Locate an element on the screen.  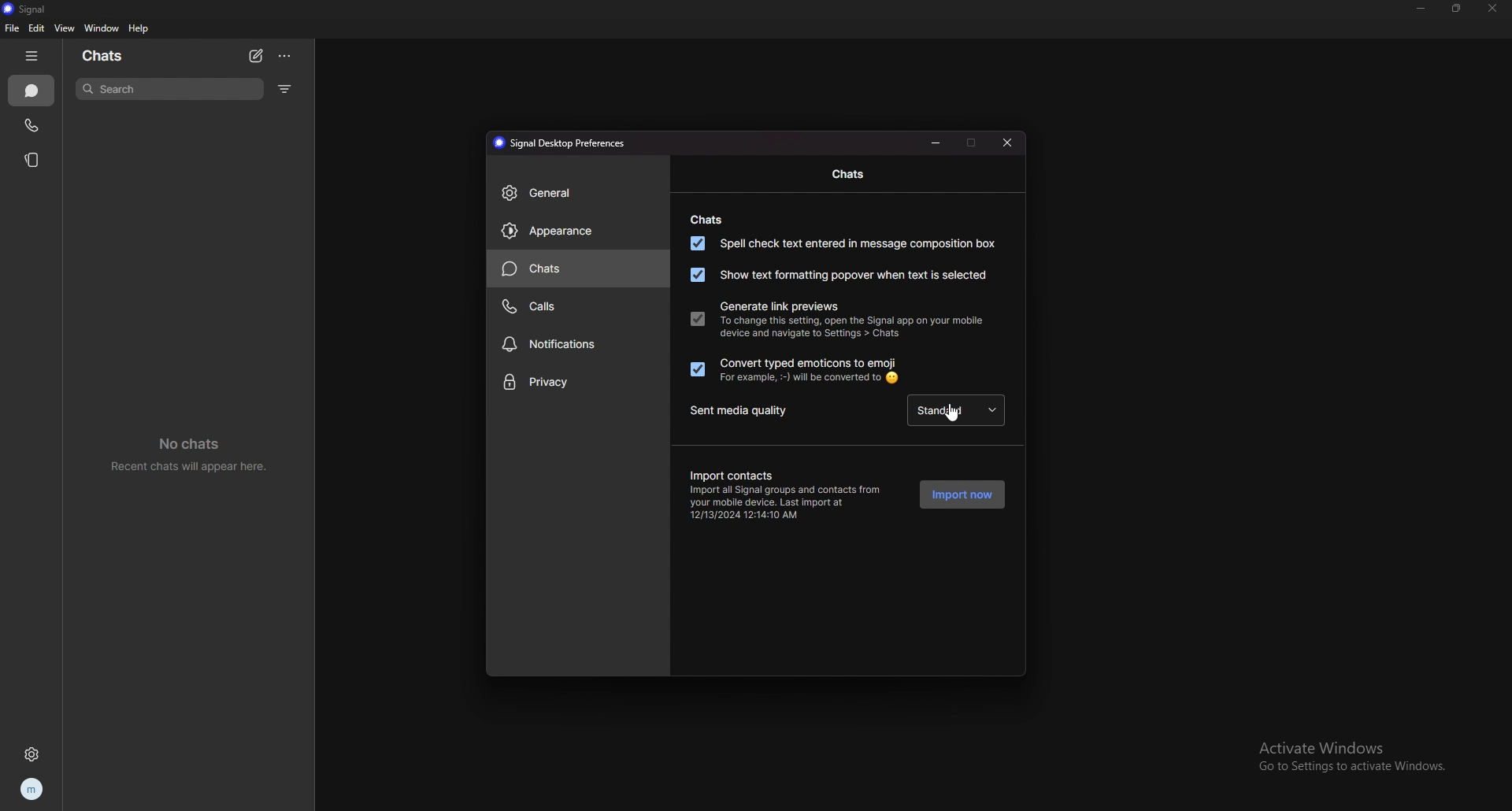
chats is located at coordinates (31, 91).